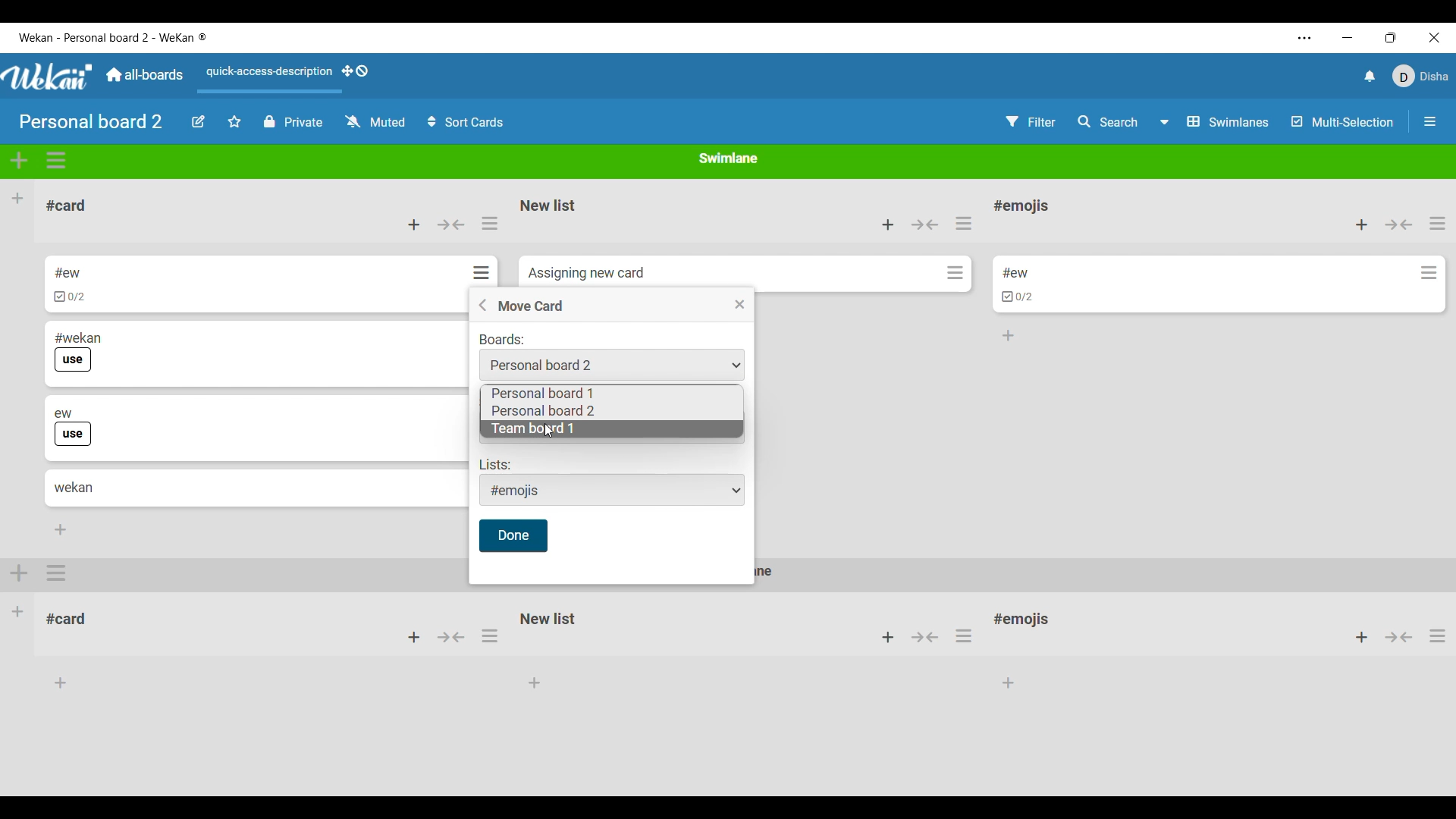 The image size is (1456, 819). What do you see at coordinates (235, 121) in the screenshot?
I see `Star board` at bounding box center [235, 121].